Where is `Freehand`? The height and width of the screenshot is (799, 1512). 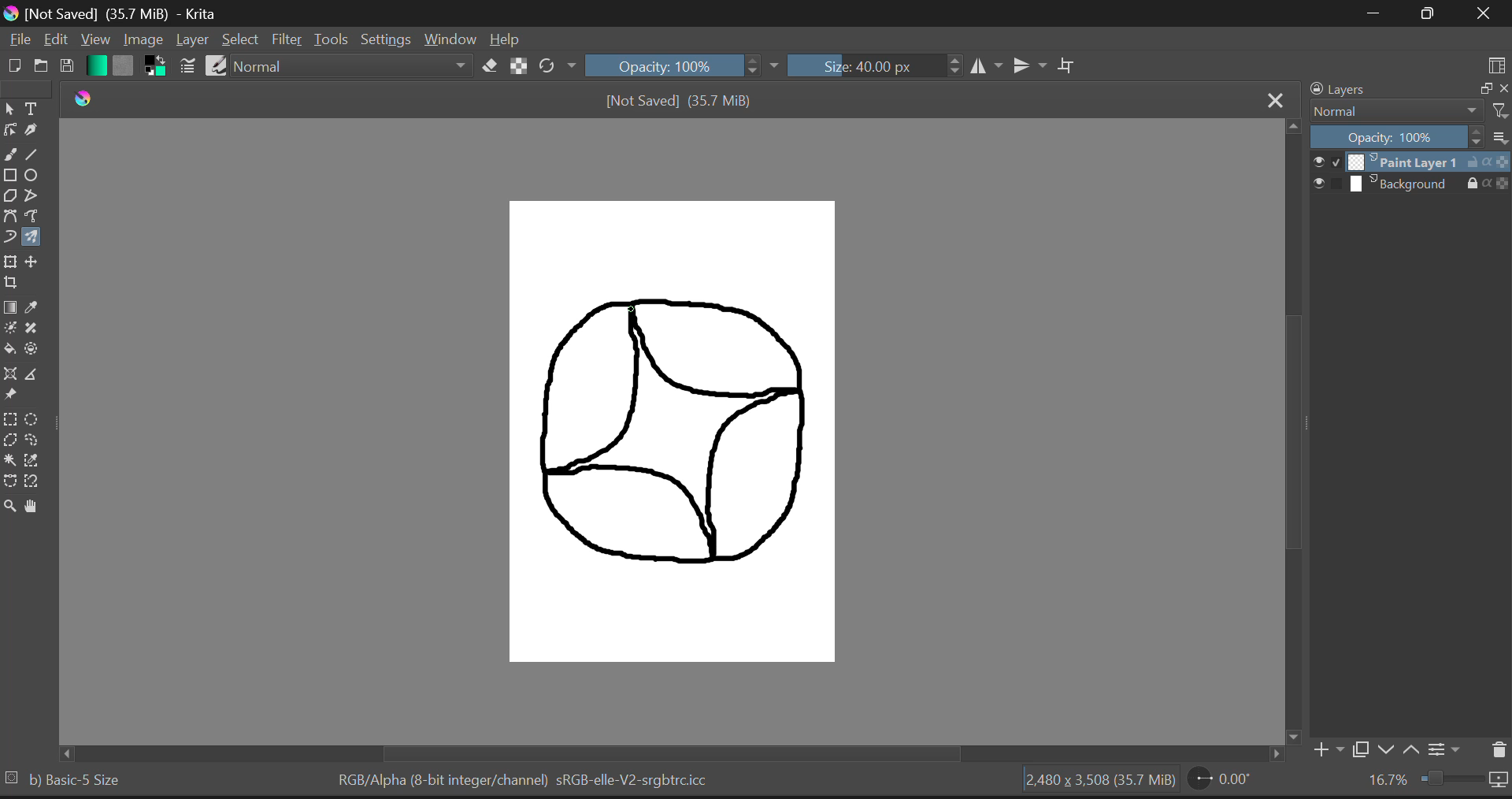 Freehand is located at coordinates (9, 153).